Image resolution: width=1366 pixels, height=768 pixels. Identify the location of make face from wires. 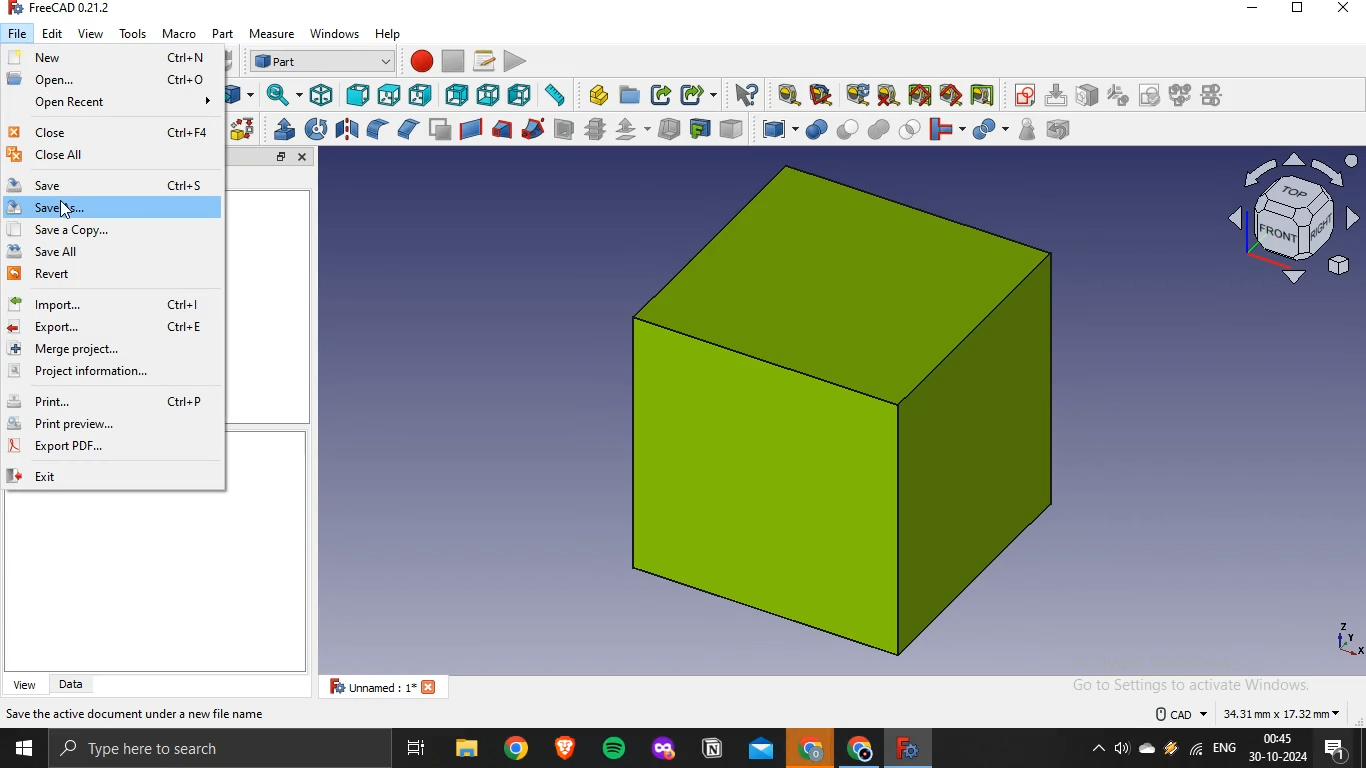
(440, 128).